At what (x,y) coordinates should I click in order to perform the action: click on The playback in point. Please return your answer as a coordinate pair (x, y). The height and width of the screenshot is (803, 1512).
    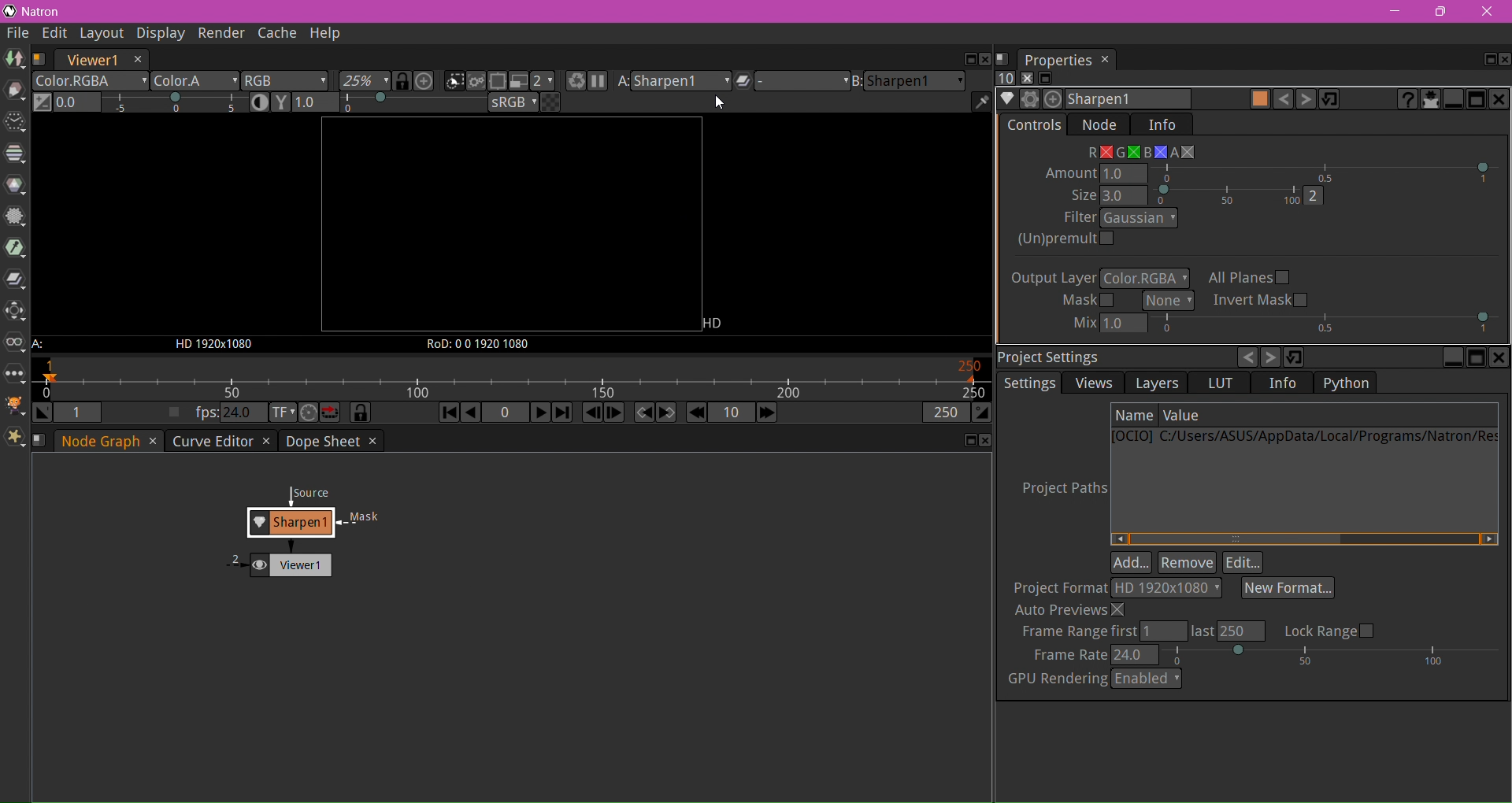
    Looking at the image, I should click on (78, 413).